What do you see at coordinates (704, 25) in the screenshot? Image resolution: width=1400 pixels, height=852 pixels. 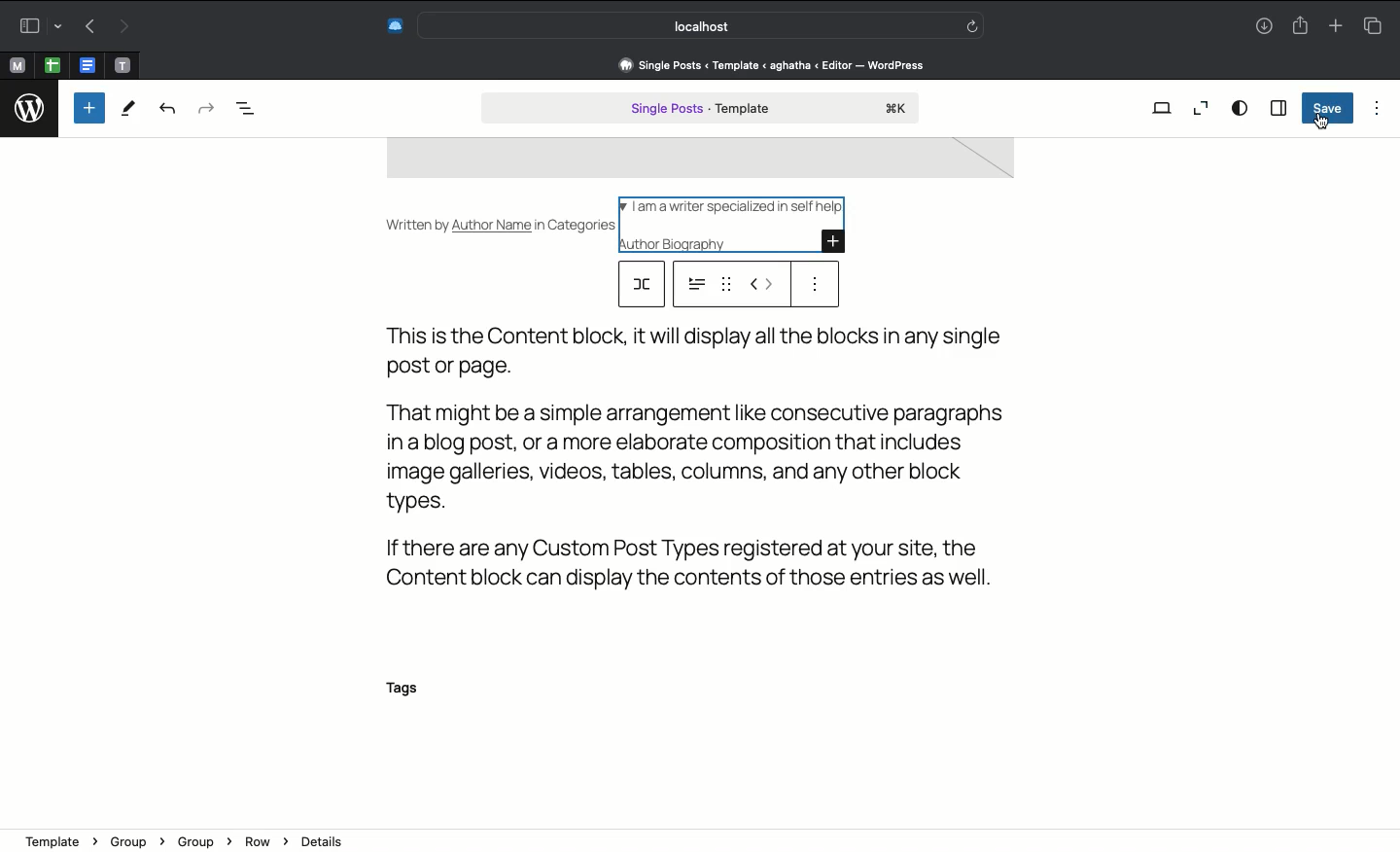 I see `Search bar` at bounding box center [704, 25].